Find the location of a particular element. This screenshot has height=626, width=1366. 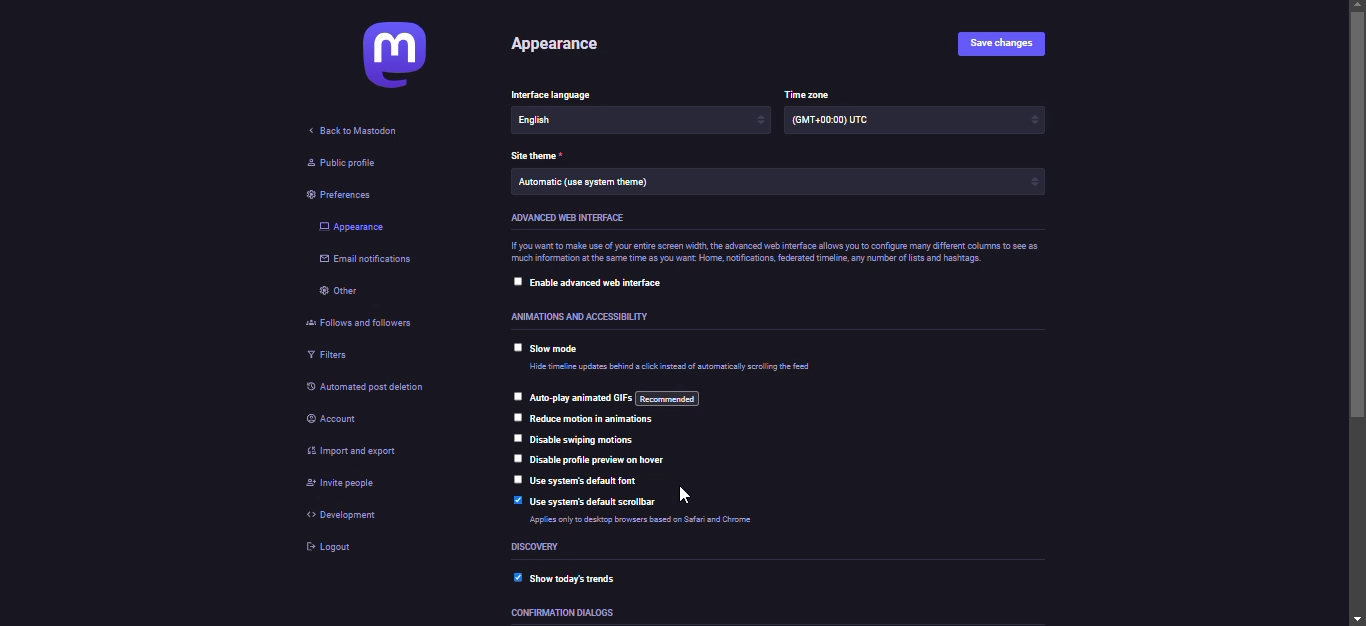

public profile is located at coordinates (341, 165).